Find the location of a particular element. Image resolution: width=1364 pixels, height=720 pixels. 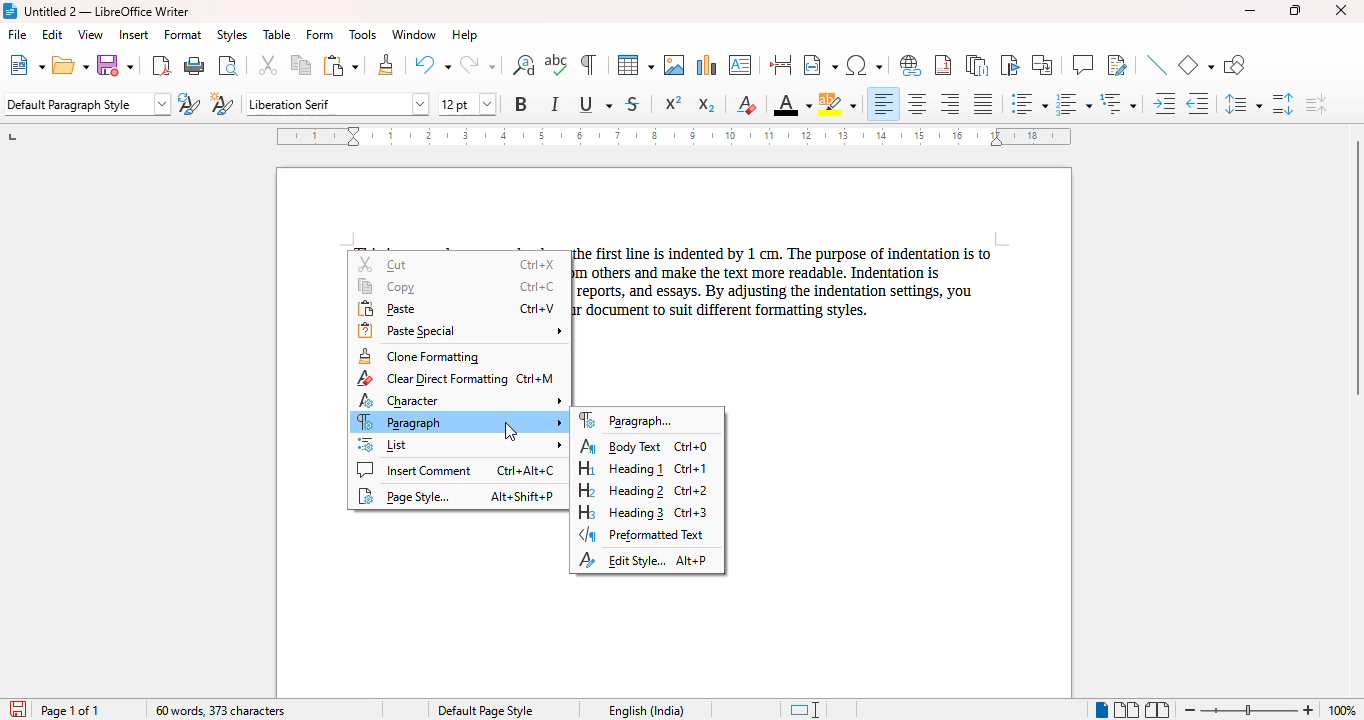

insert image is located at coordinates (674, 65).